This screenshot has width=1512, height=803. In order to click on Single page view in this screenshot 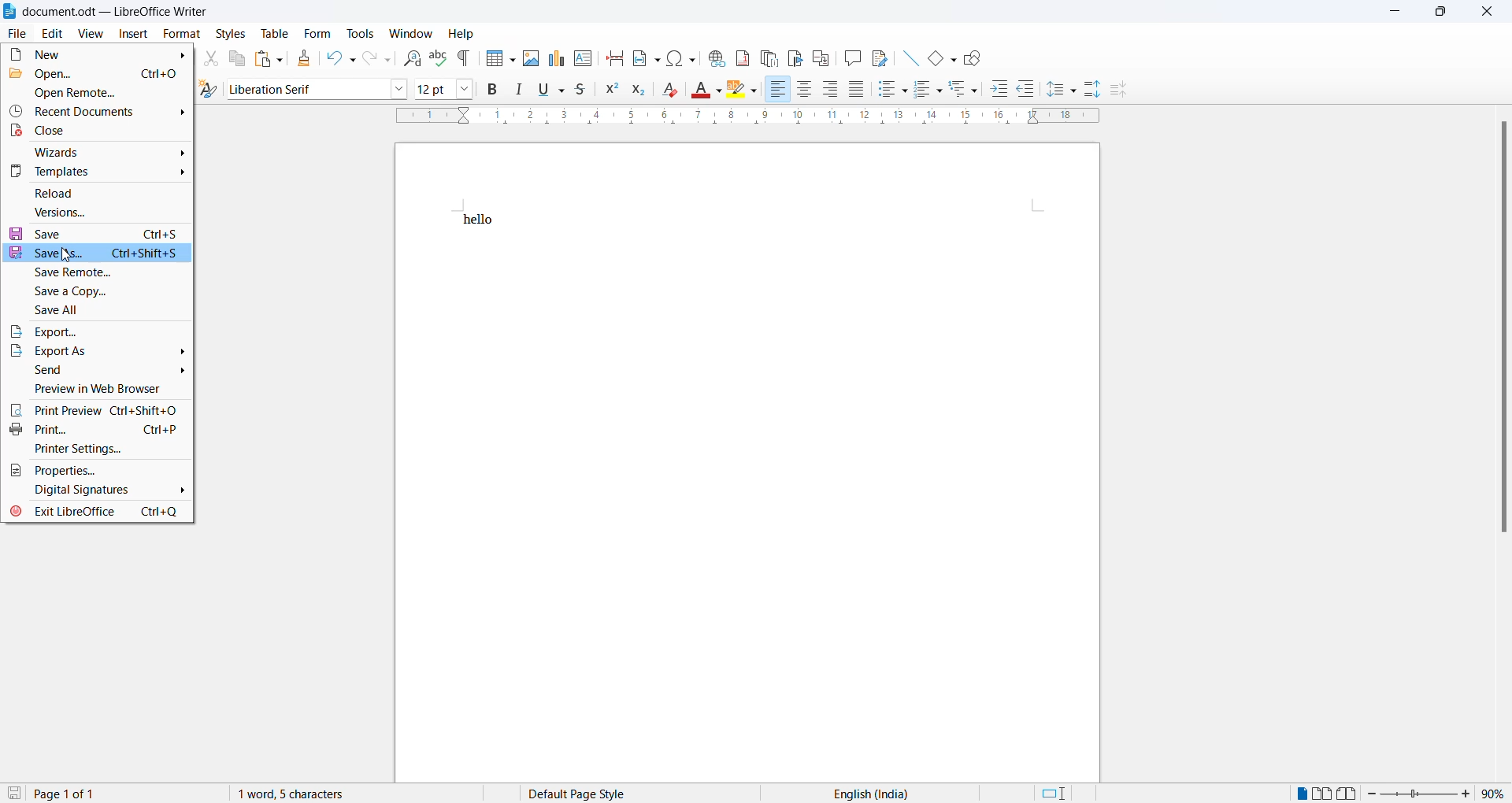, I will do `click(1300, 794)`.